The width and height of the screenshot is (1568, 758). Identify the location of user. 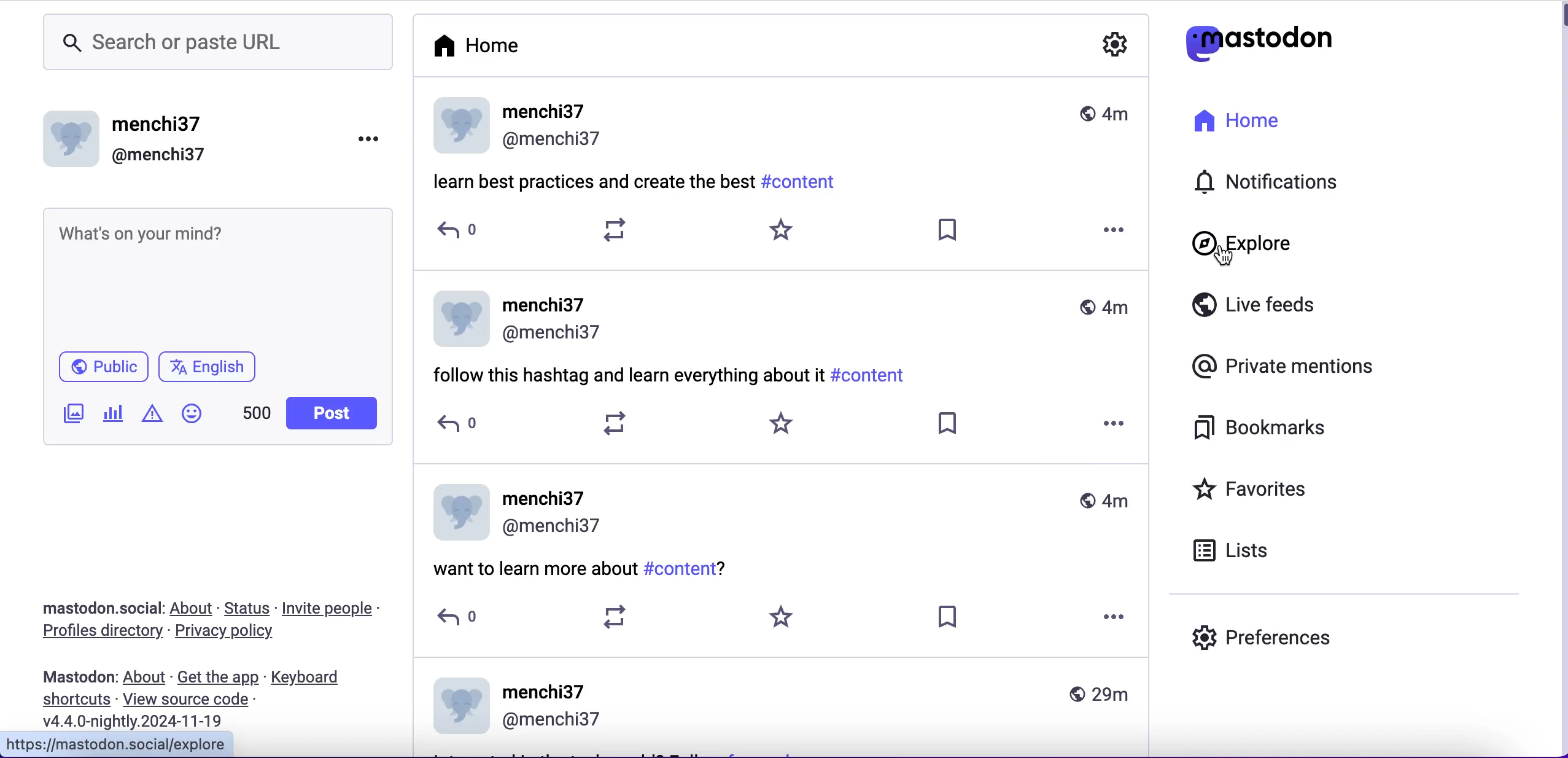
(784, 127).